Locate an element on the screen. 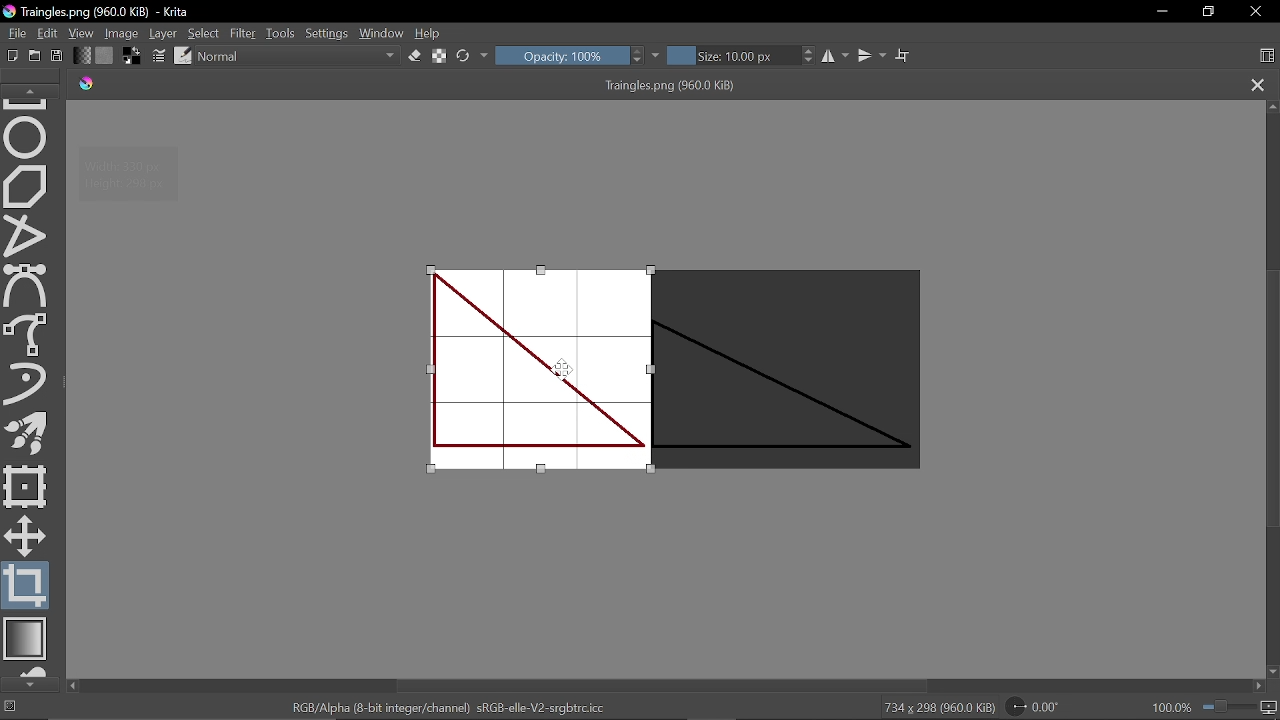 The height and width of the screenshot is (720, 1280). Foreground color is located at coordinates (133, 55).